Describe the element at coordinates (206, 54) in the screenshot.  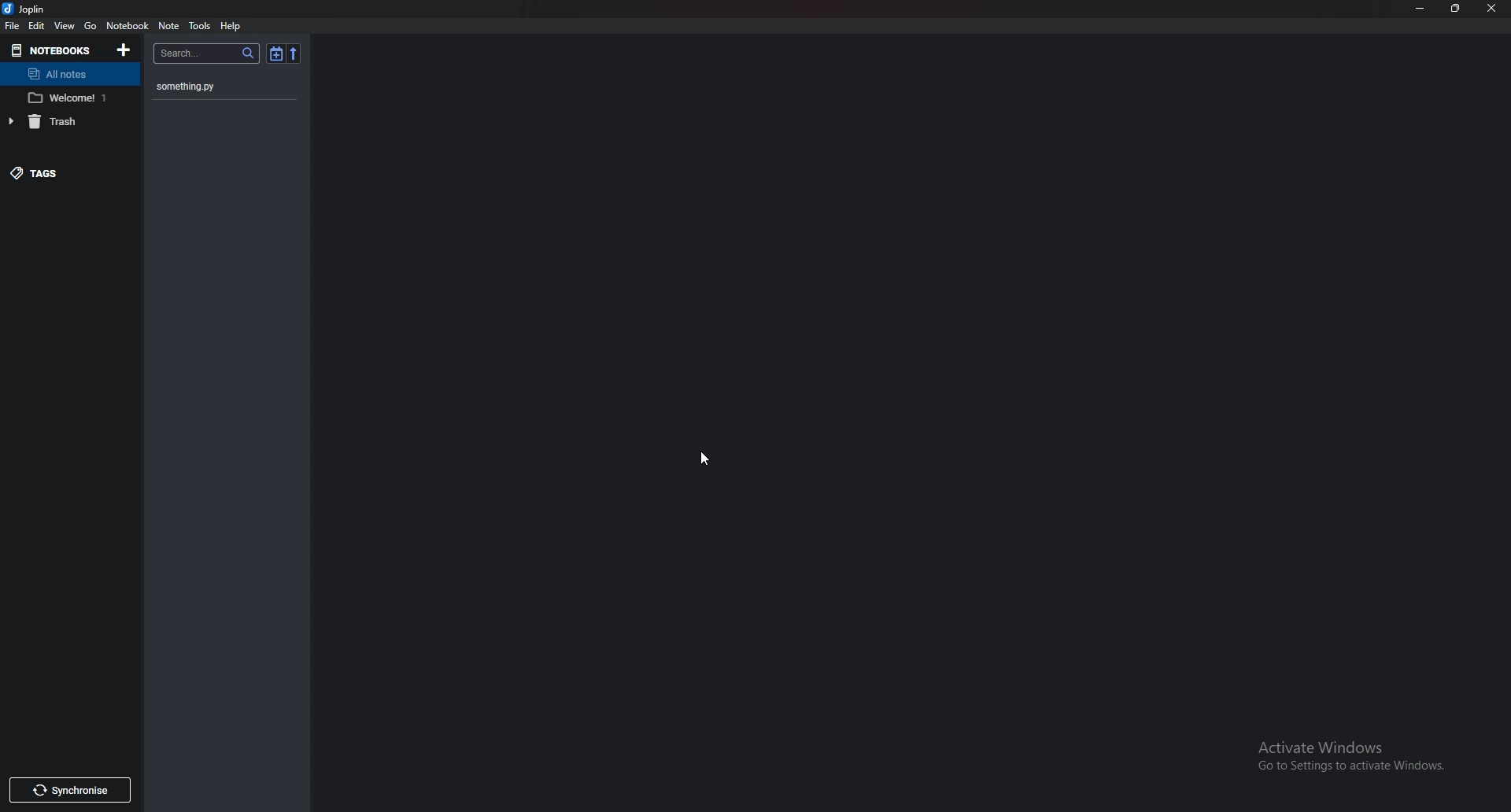
I see `search` at that location.